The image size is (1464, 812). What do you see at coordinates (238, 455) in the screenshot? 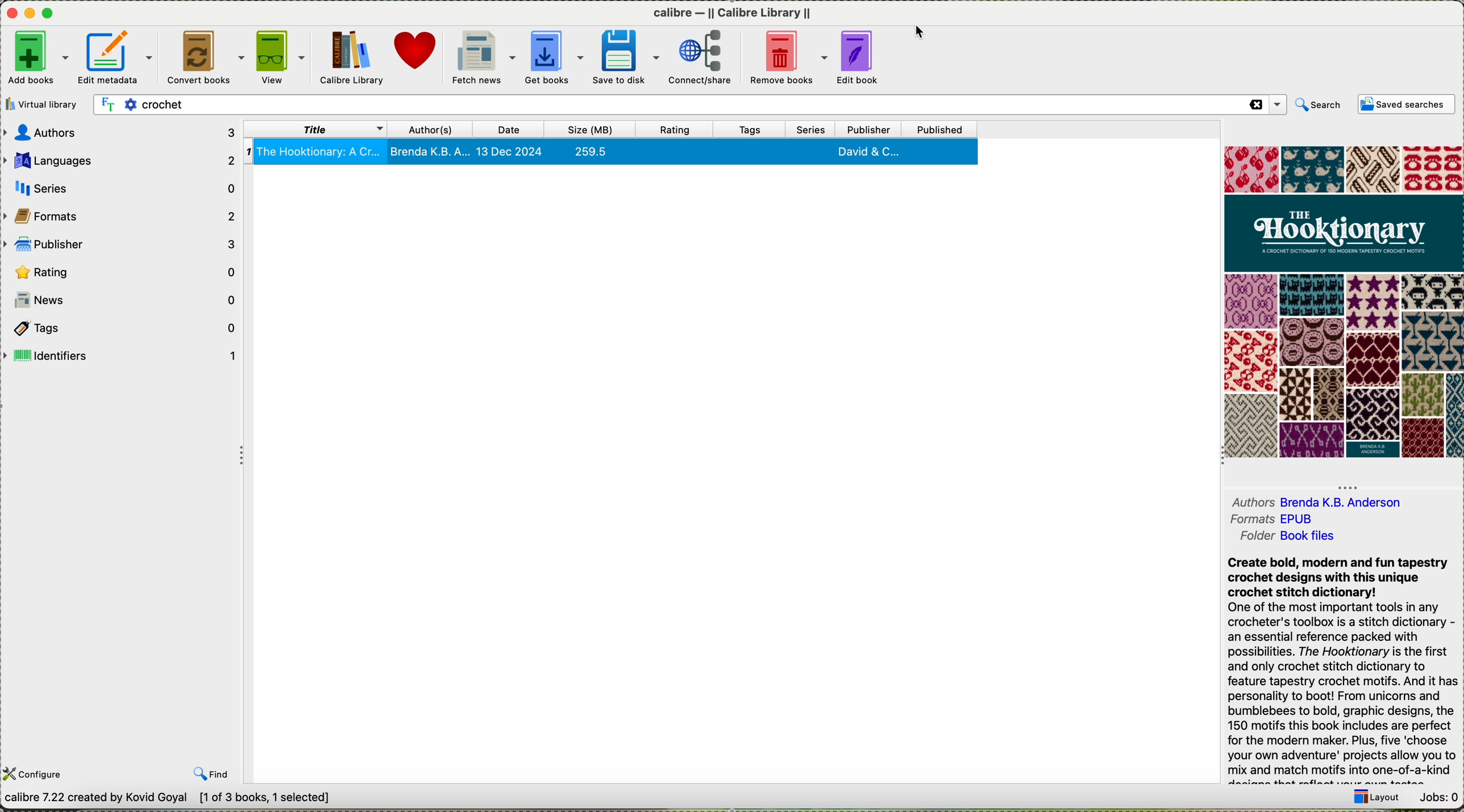
I see `Collapse` at bounding box center [238, 455].